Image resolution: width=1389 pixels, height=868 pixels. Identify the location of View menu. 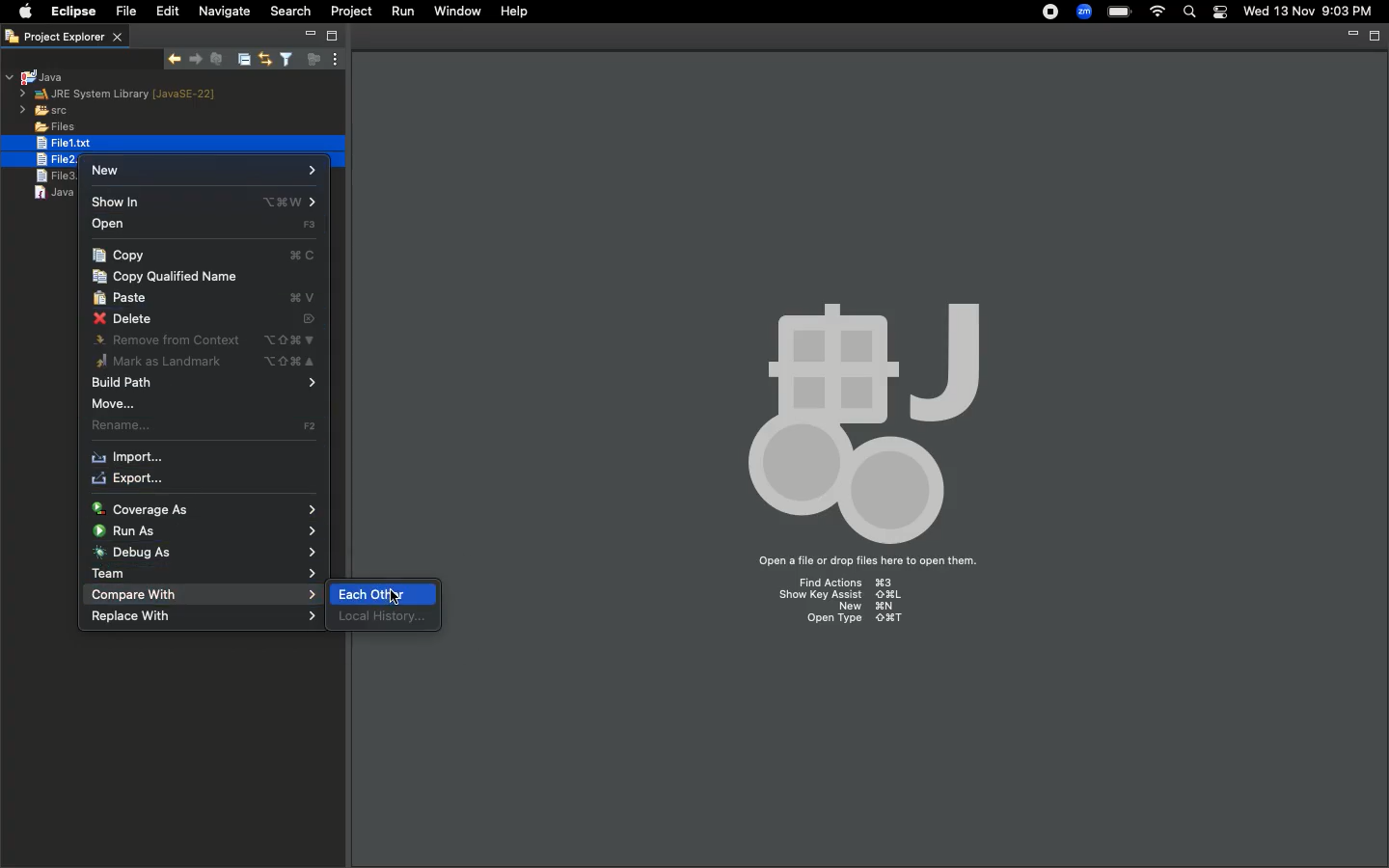
(333, 60).